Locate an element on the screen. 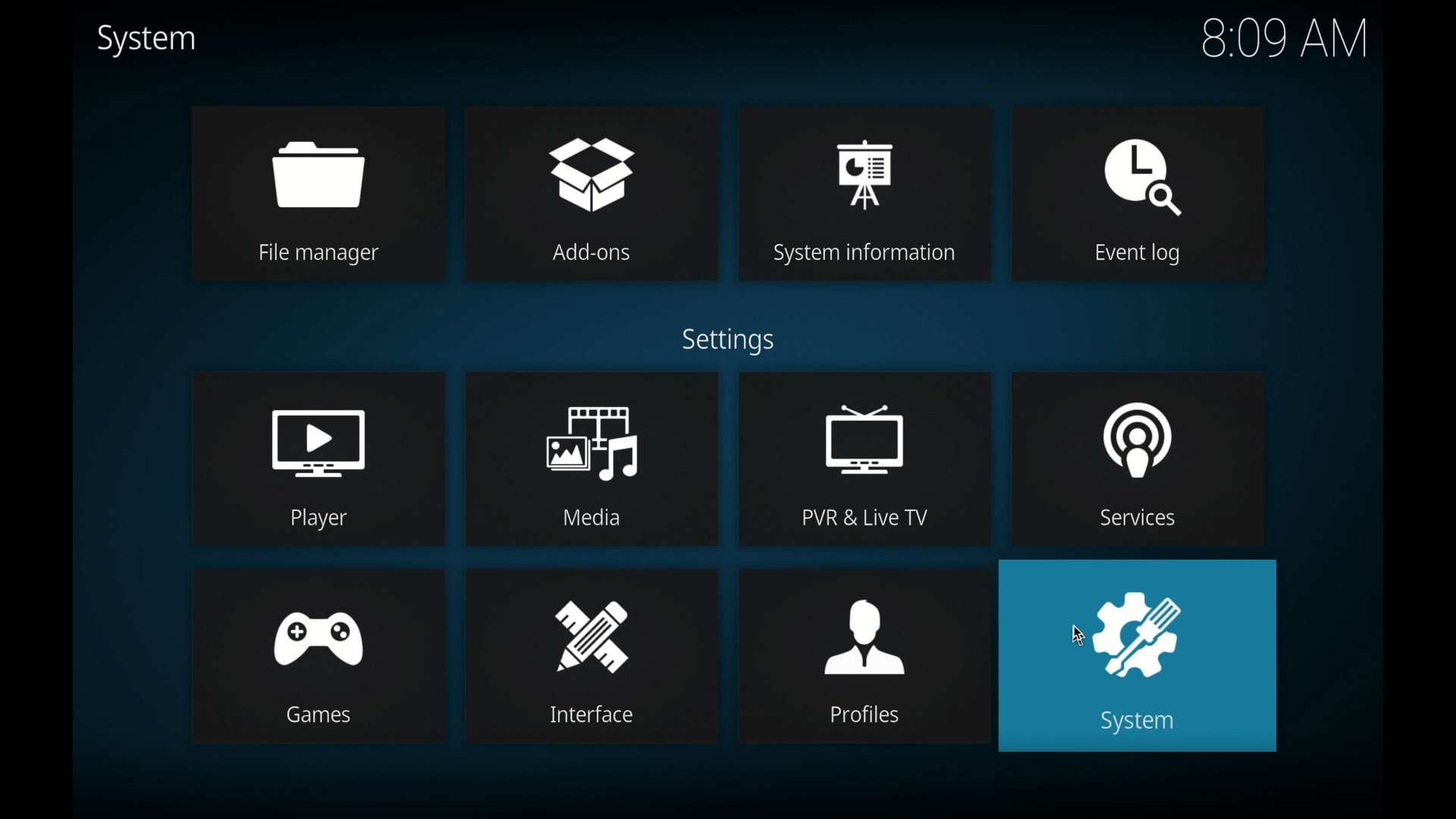  file manager is located at coordinates (317, 194).